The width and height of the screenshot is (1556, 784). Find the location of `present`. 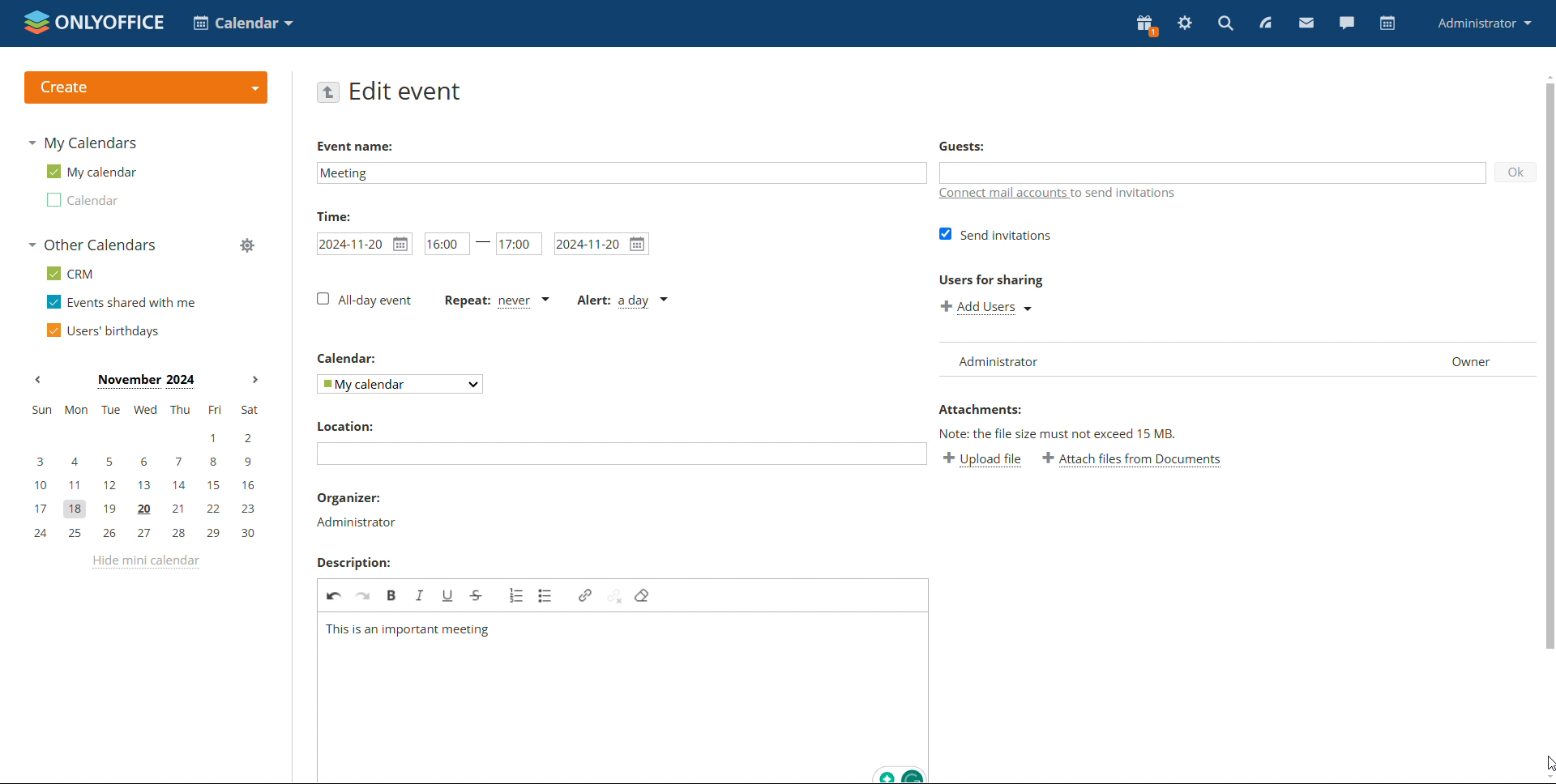

present is located at coordinates (1148, 24).